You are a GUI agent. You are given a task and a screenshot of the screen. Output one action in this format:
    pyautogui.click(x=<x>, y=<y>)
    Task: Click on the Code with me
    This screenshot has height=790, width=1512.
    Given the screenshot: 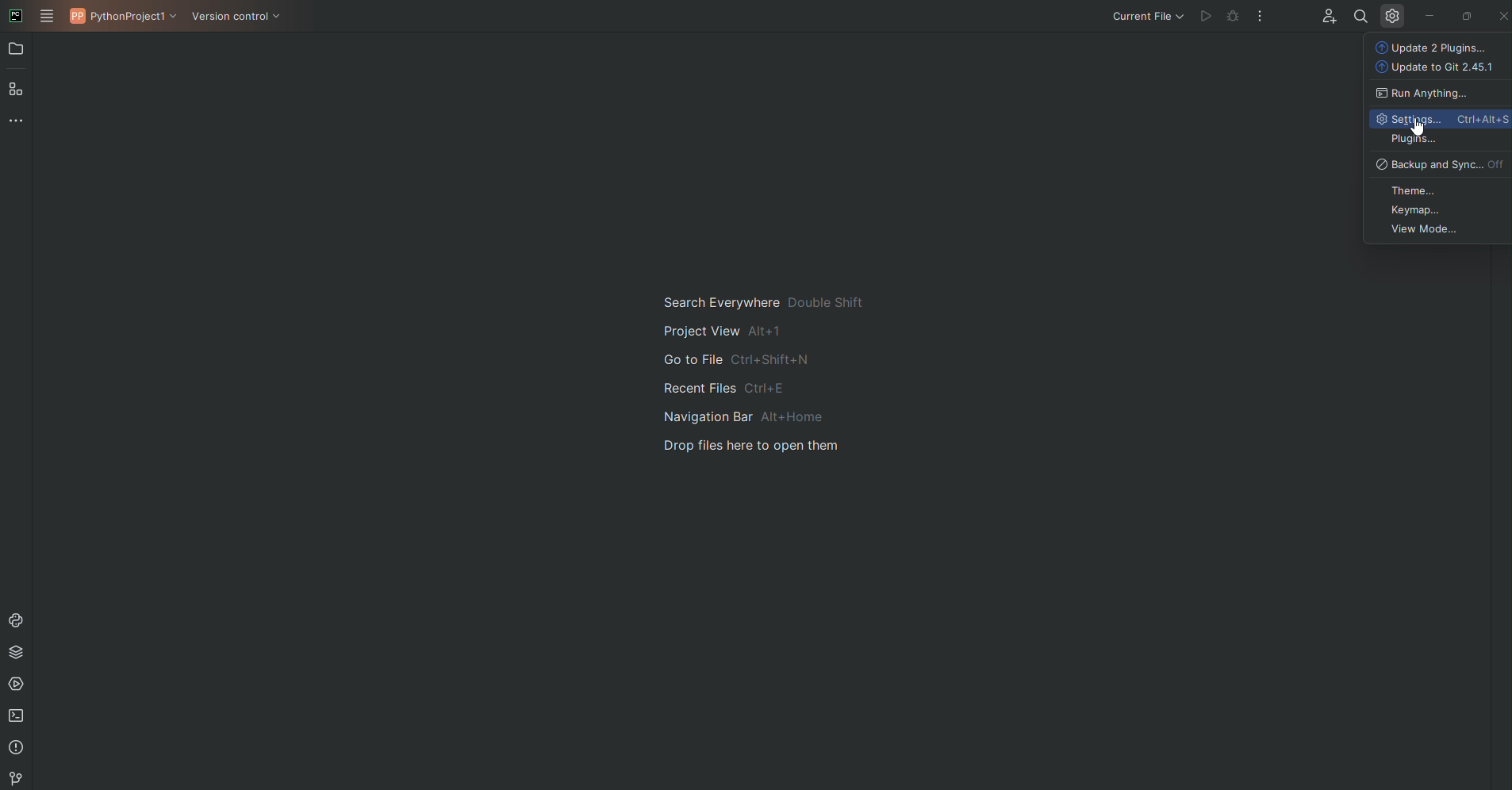 What is the action you would take?
    pyautogui.click(x=1328, y=15)
    